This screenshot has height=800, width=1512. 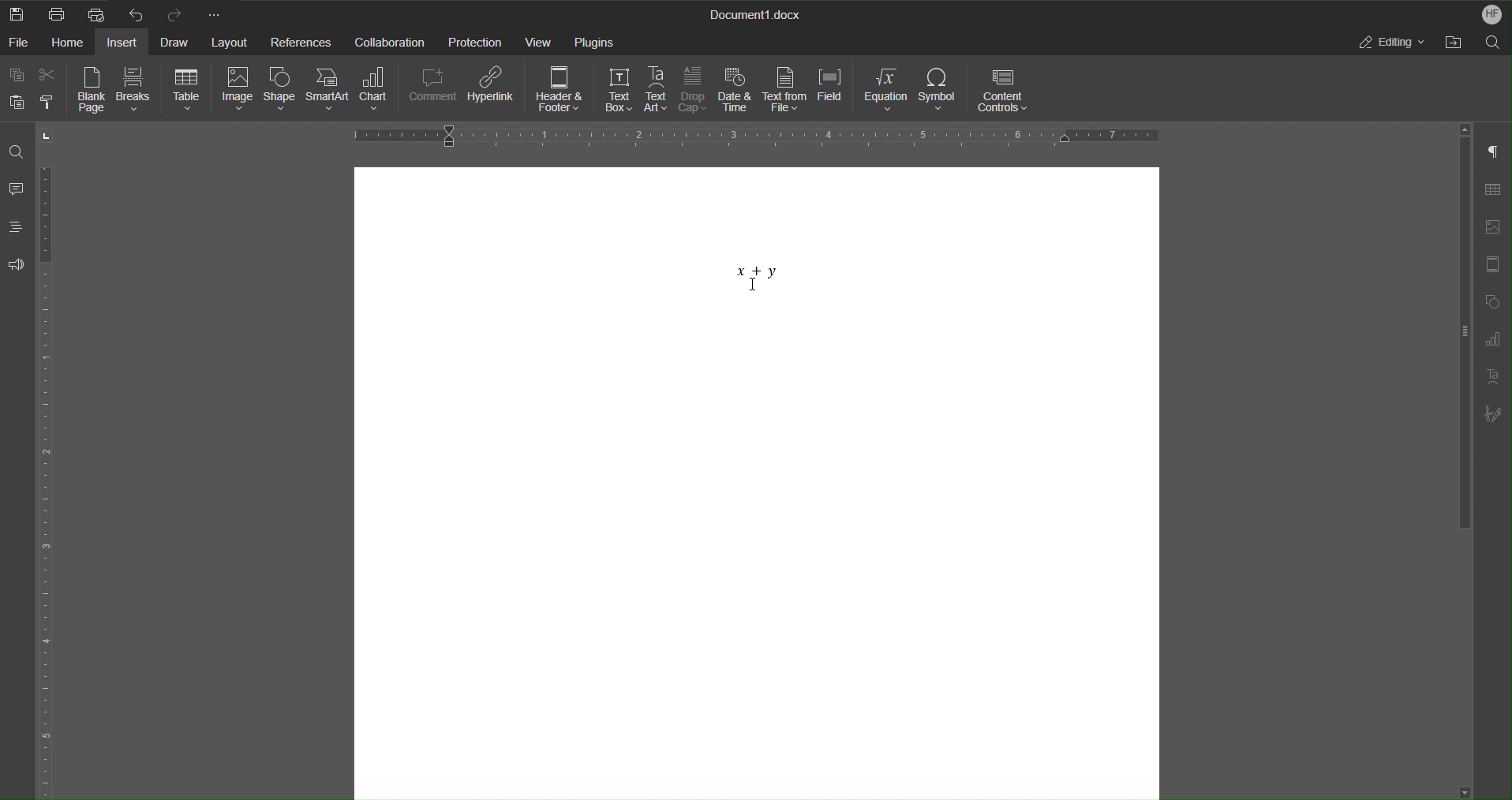 I want to click on File, so click(x=22, y=44).